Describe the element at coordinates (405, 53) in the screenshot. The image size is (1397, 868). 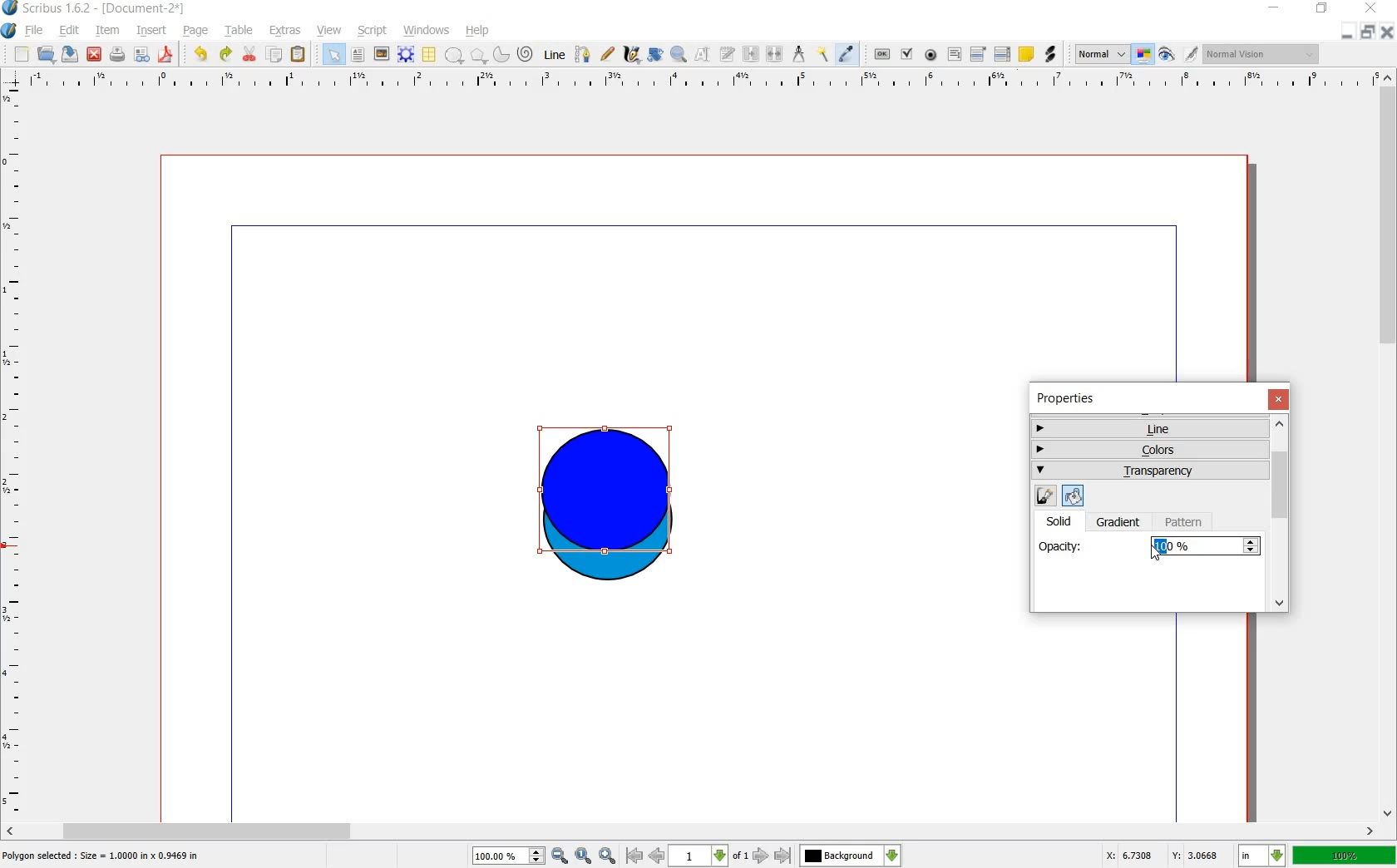
I see `render frame` at that location.